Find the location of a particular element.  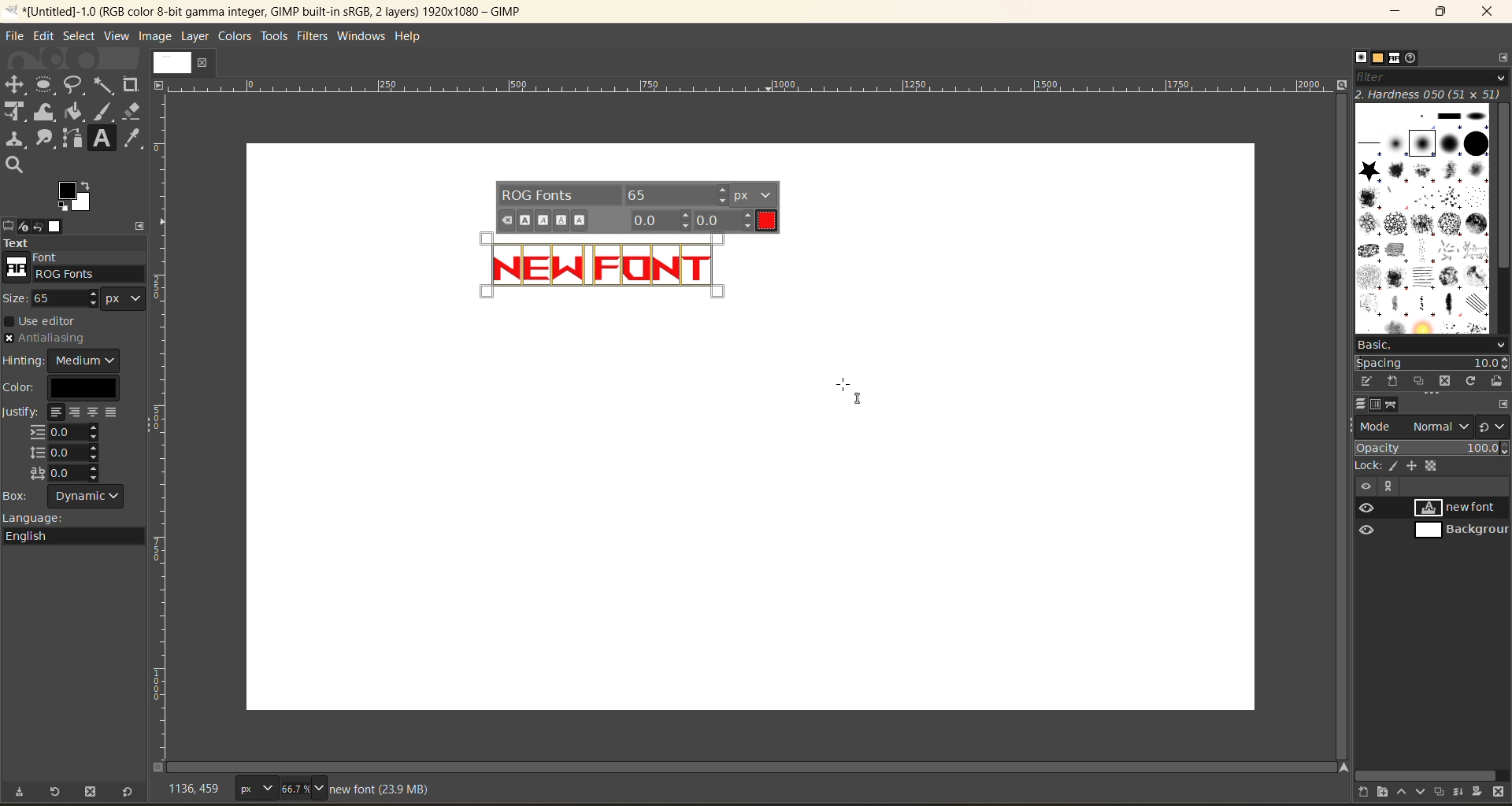

patterns is located at coordinates (1378, 57).